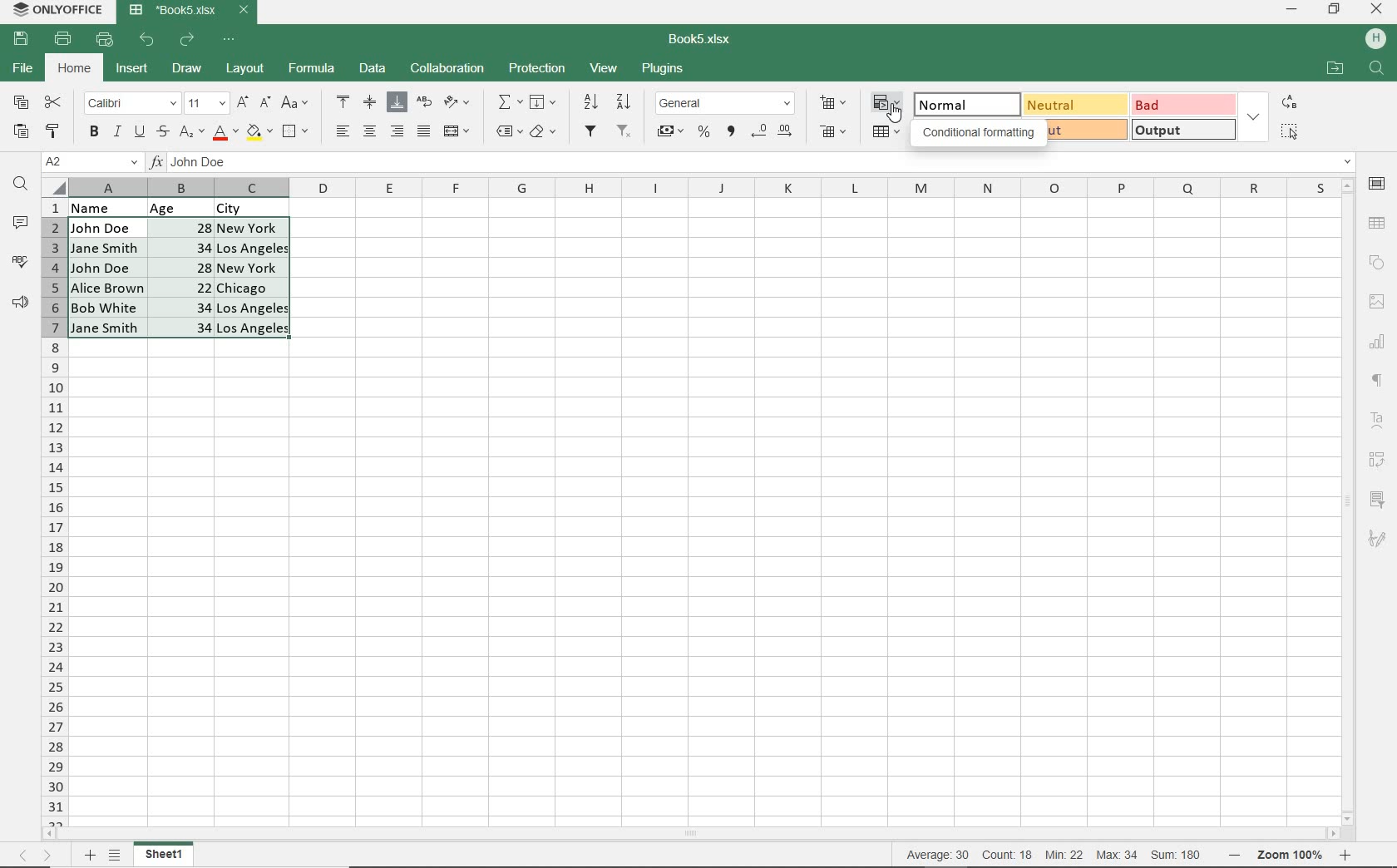  Describe the element at coordinates (940, 855) in the screenshot. I see `average` at that location.